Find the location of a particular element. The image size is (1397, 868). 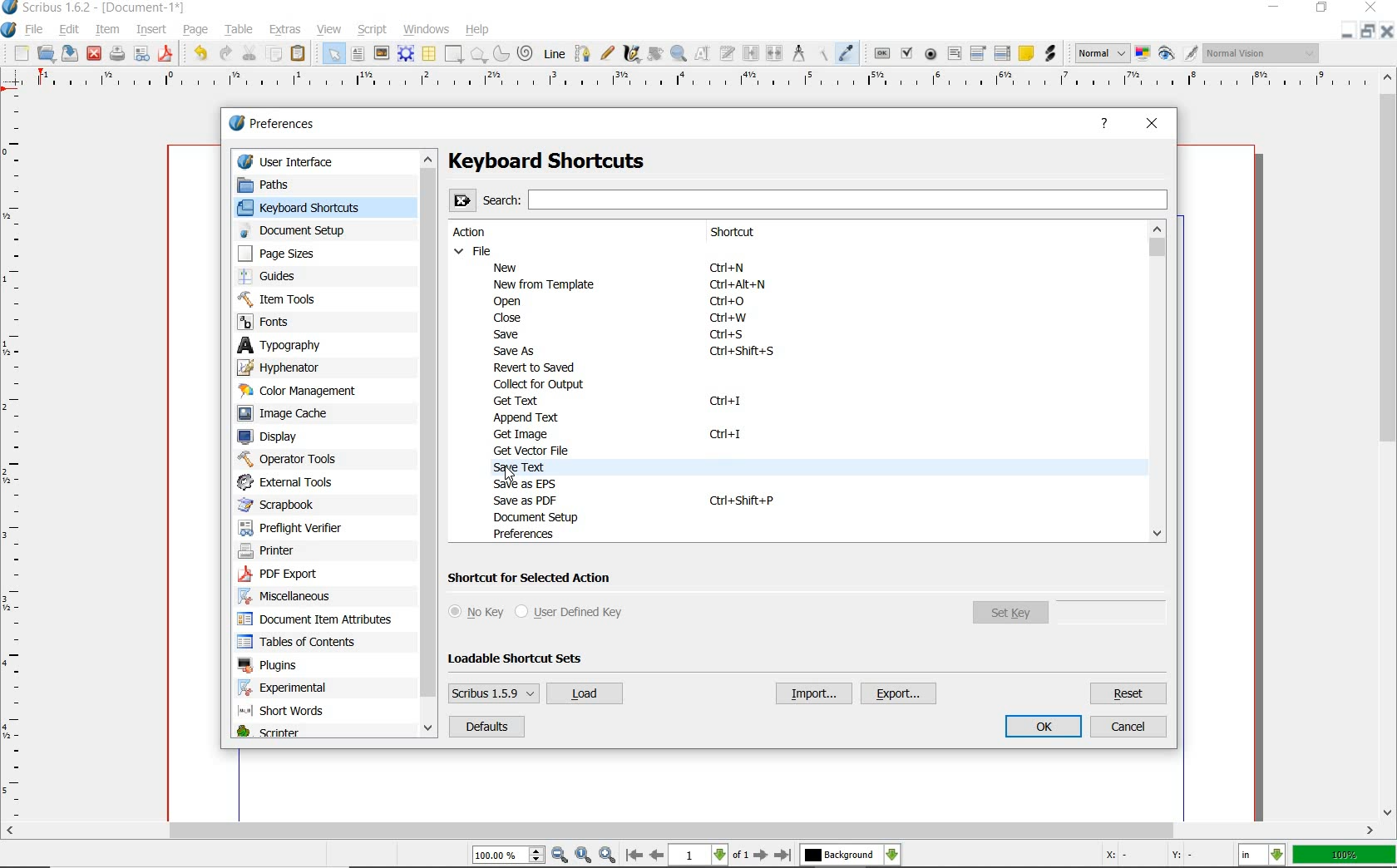

Bezier curve is located at coordinates (583, 54).